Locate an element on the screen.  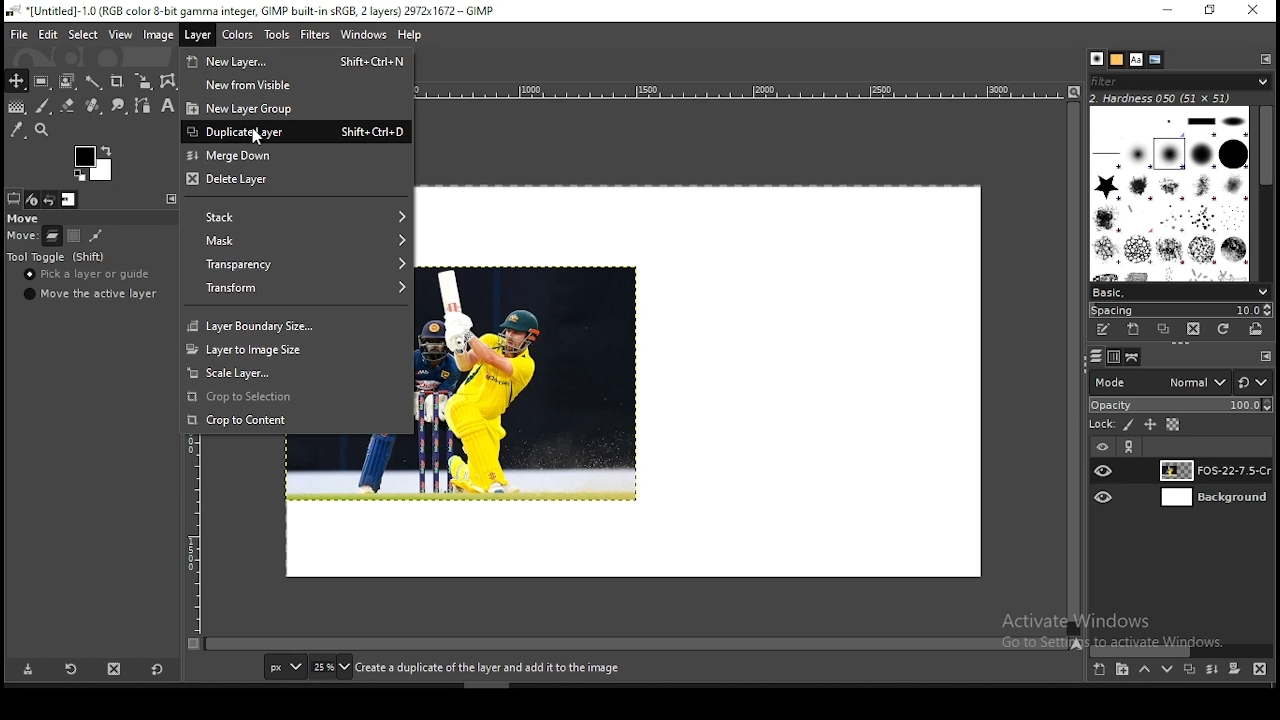
spacing is located at coordinates (1180, 309).